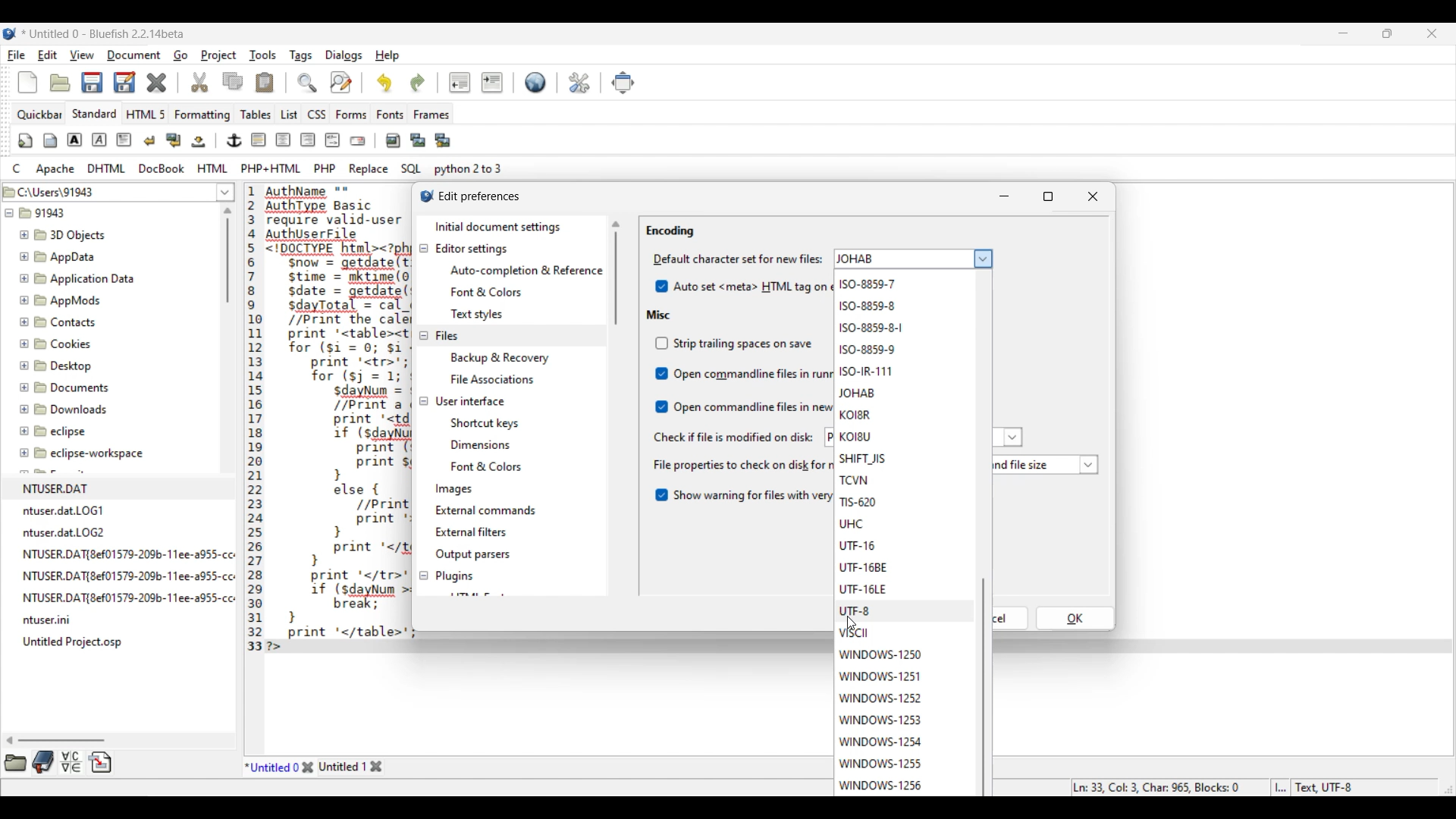 The image size is (1456, 819). What do you see at coordinates (55, 740) in the screenshot?
I see `Horizontal slide bar` at bounding box center [55, 740].